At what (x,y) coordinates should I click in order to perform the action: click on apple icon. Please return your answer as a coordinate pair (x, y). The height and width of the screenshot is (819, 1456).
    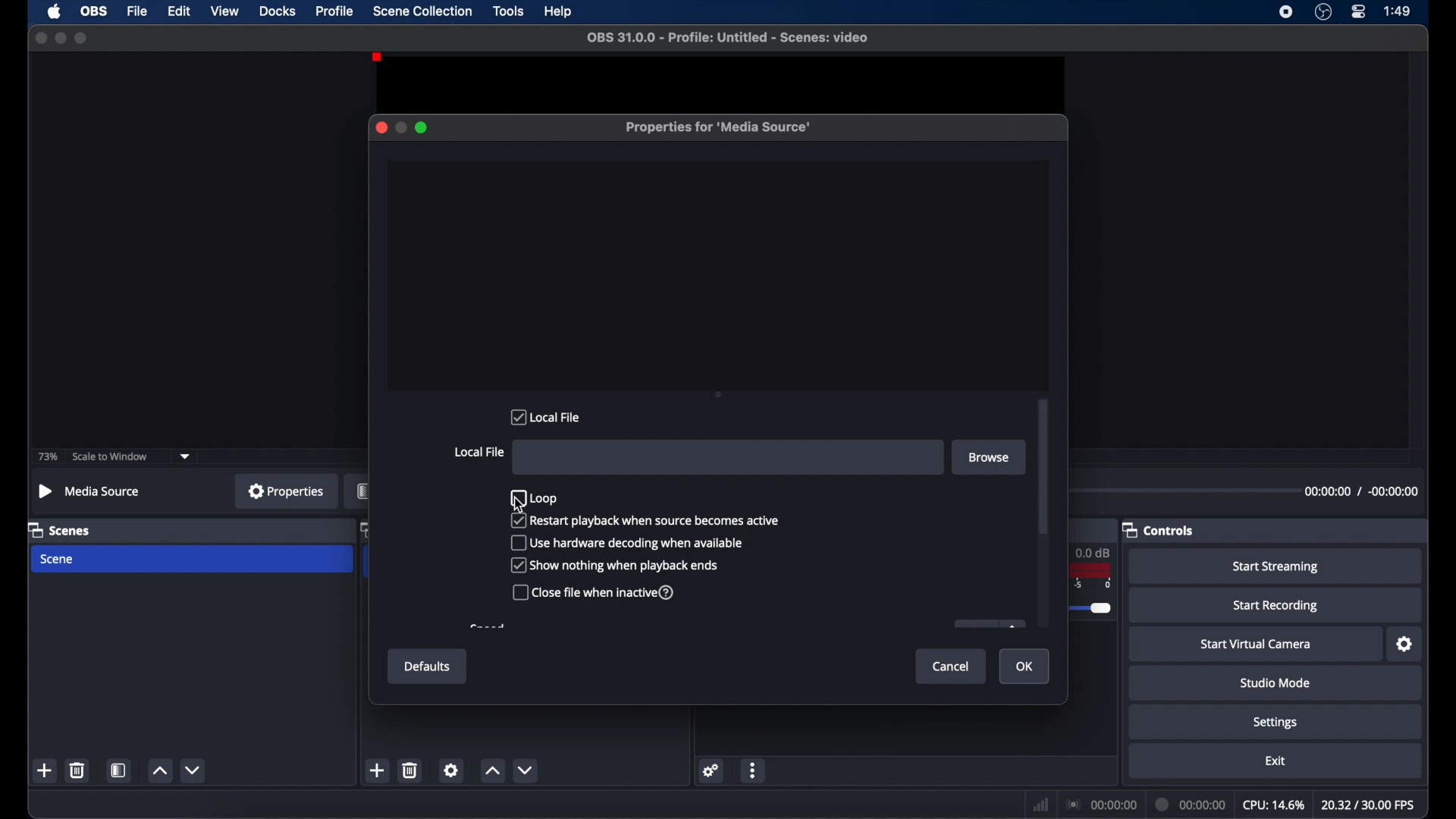
    Looking at the image, I should click on (54, 12).